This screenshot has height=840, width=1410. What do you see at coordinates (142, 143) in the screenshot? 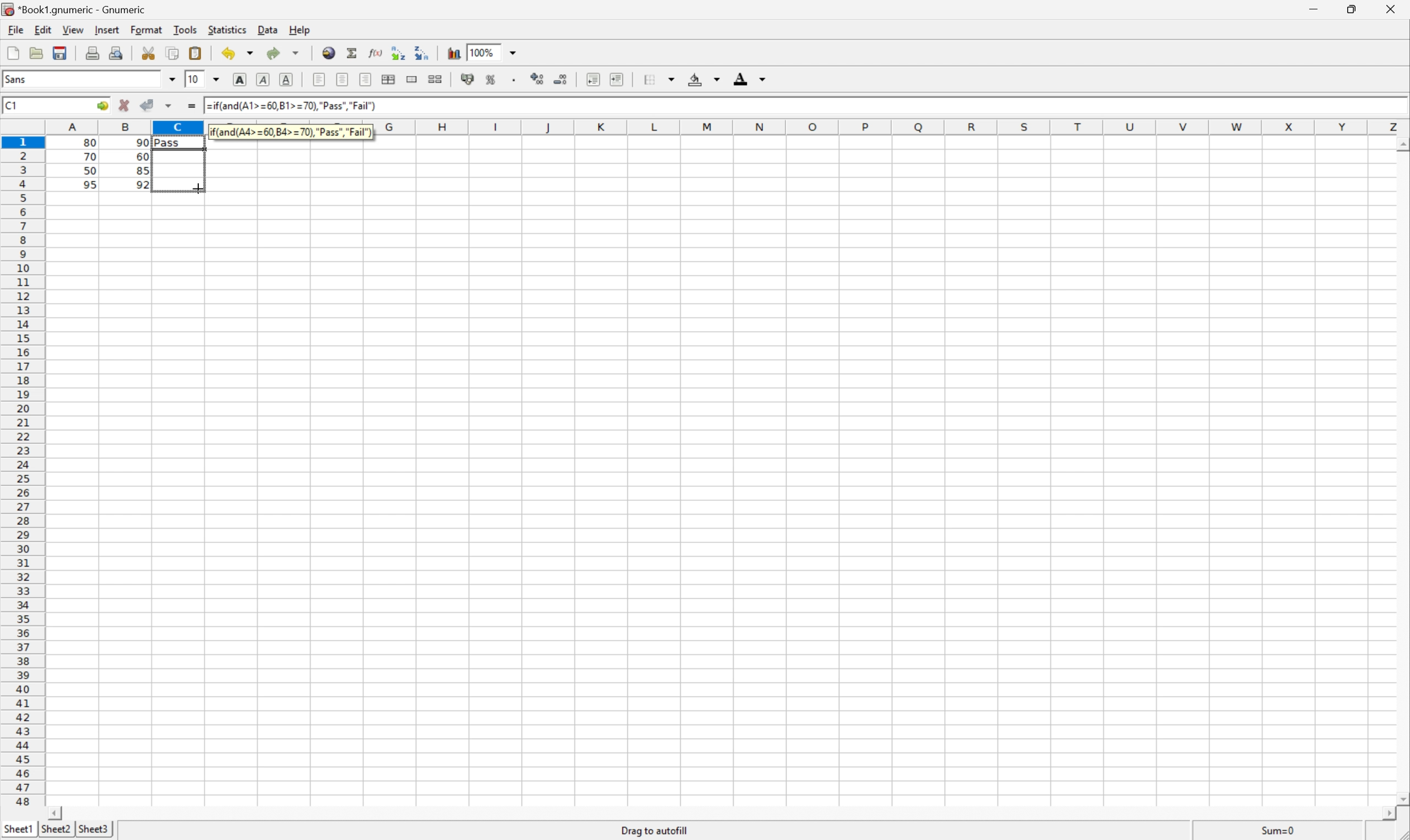
I see `90` at bounding box center [142, 143].